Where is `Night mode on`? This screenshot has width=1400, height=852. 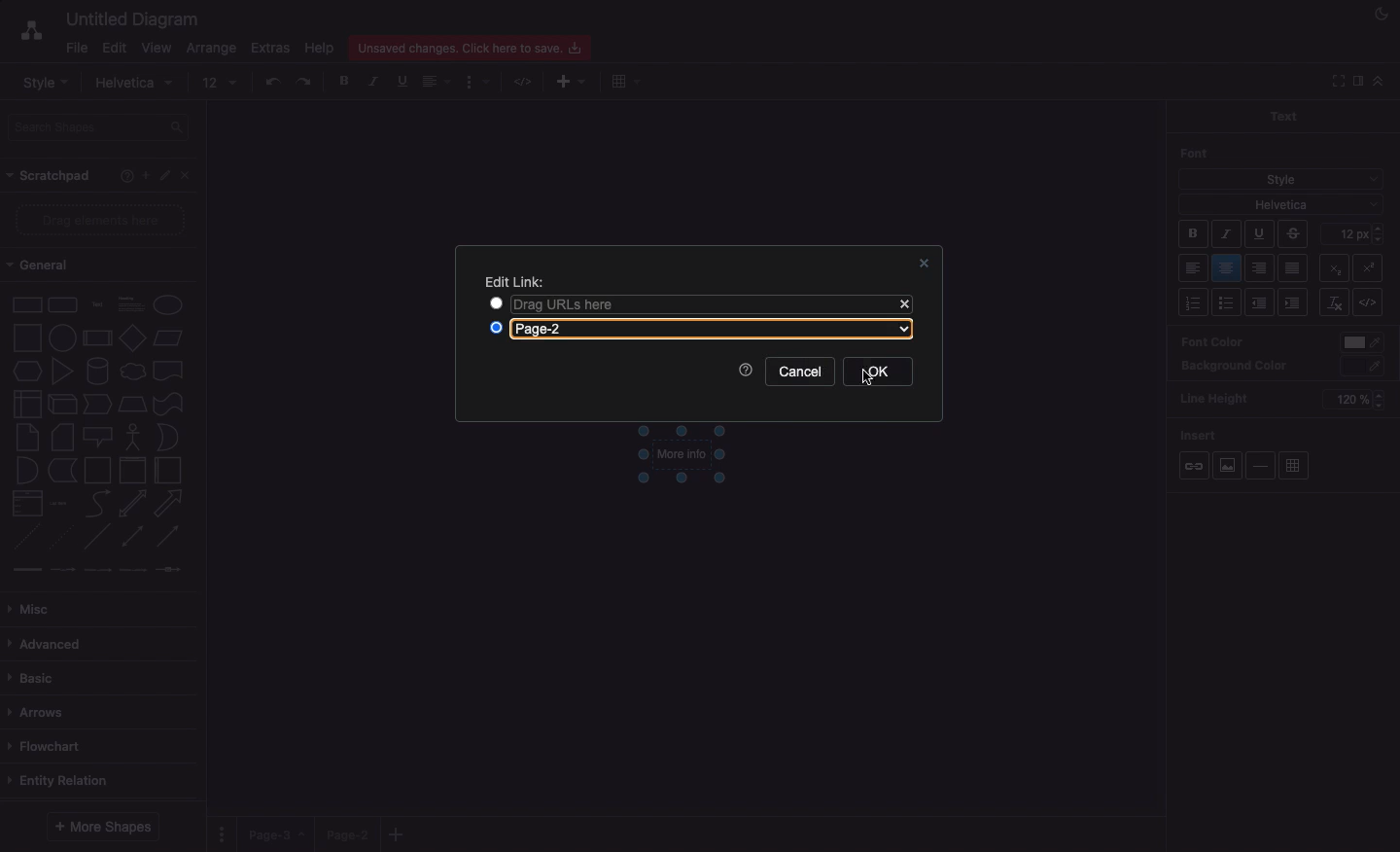
Night mode on is located at coordinates (1380, 15).